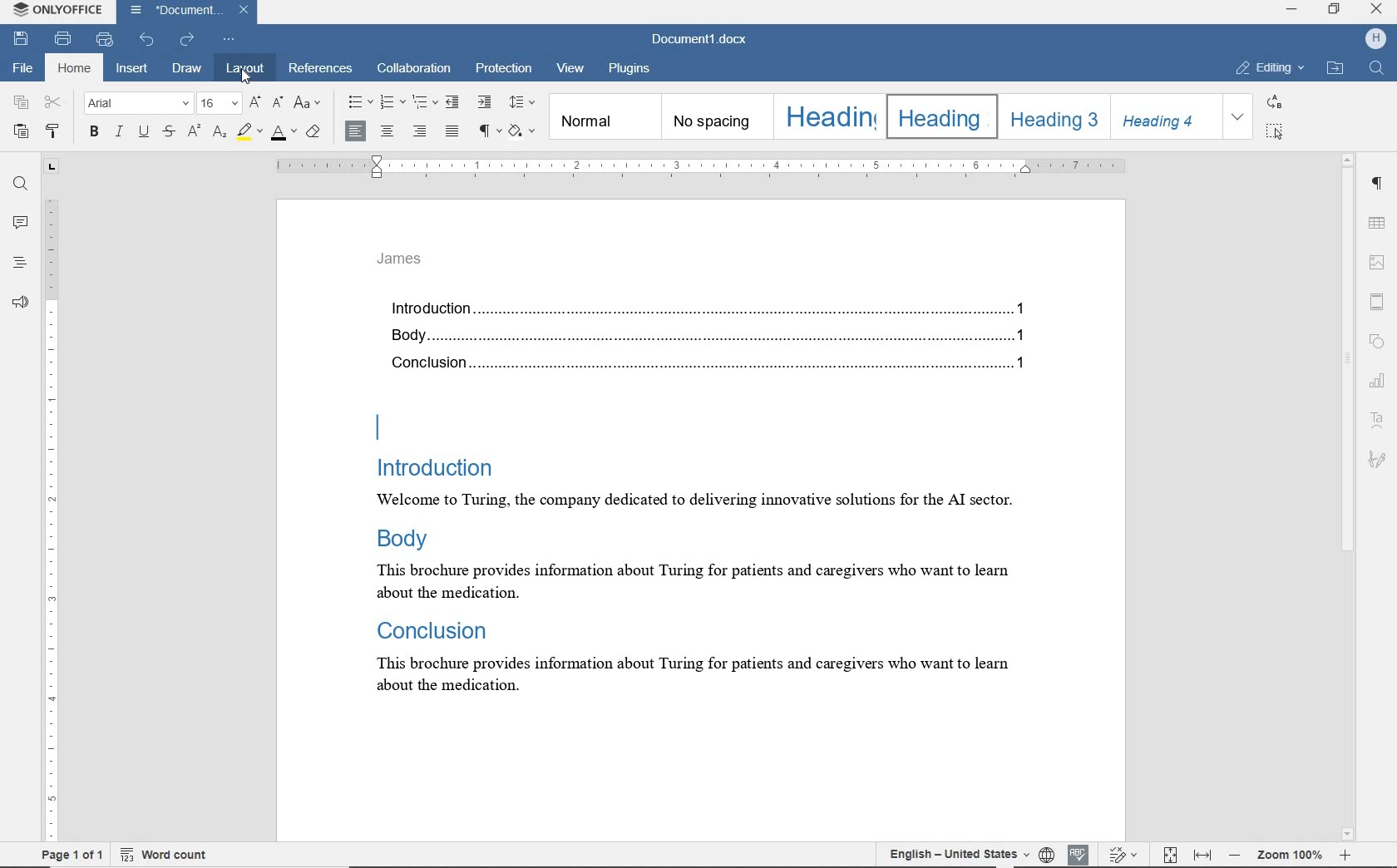 The image size is (1397, 868). What do you see at coordinates (219, 103) in the screenshot?
I see `font size` at bounding box center [219, 103].